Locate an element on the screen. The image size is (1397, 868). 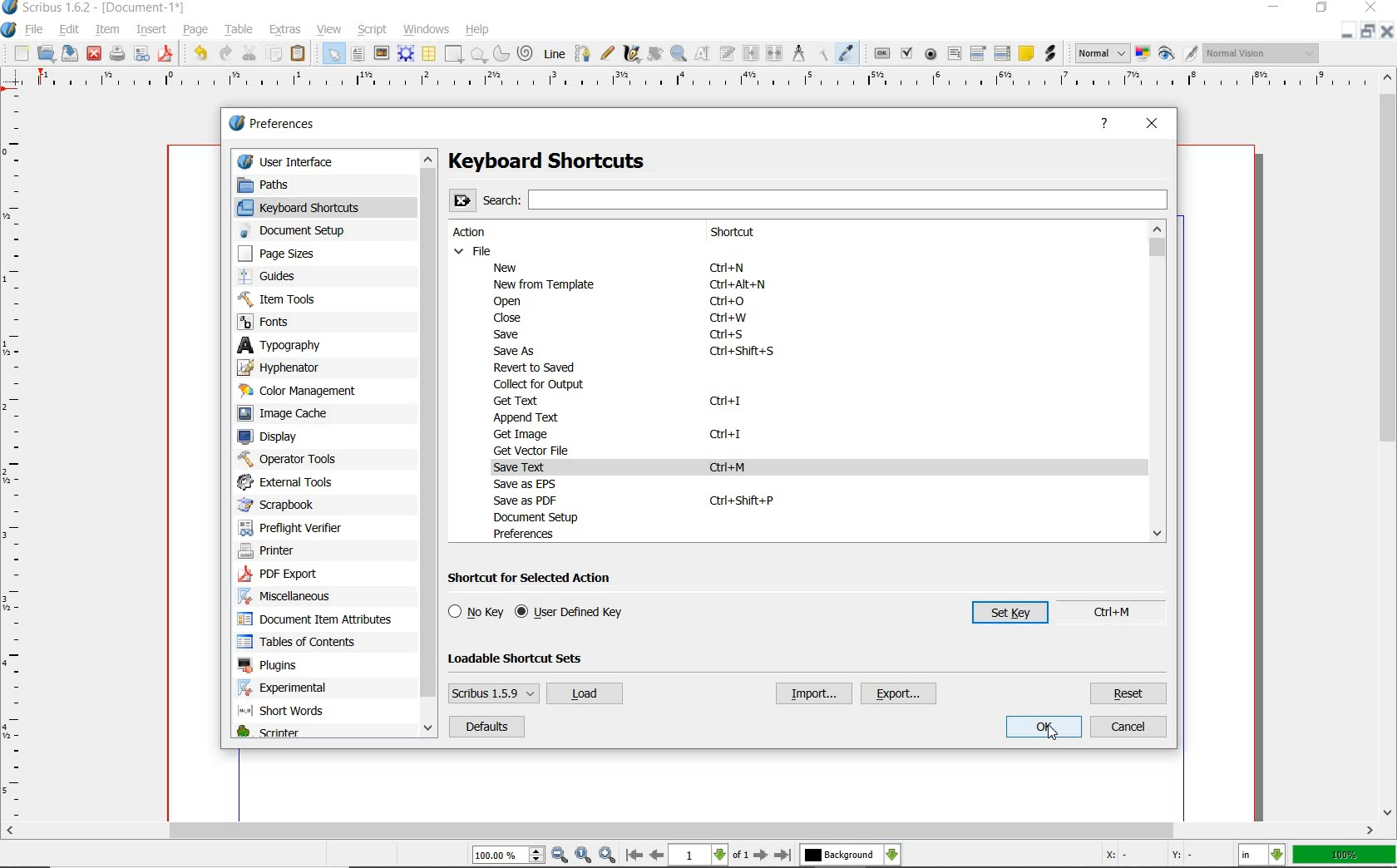
file is located at coordinates (475, 250).